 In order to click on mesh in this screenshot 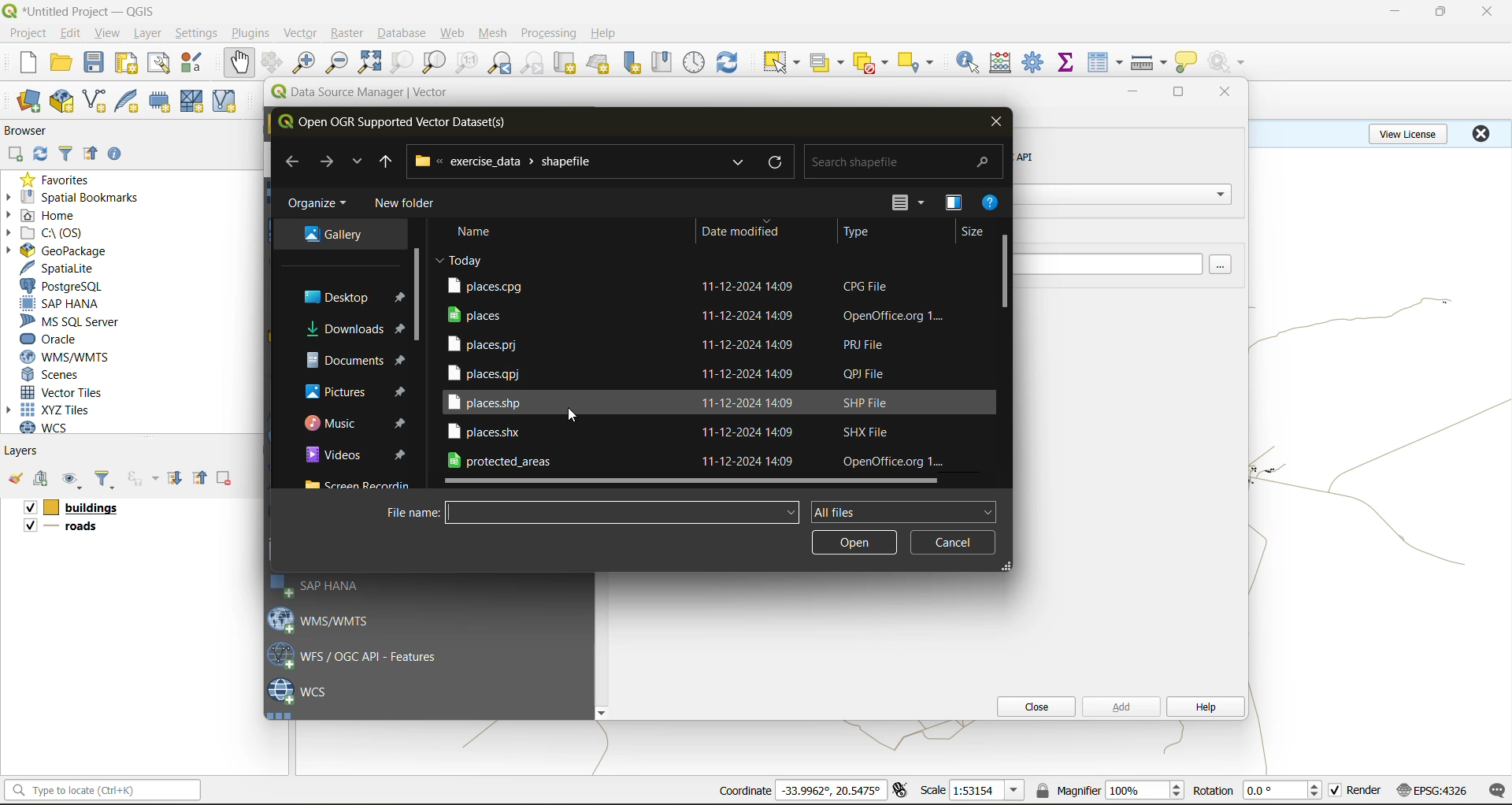, I will do `click(495, 35)`.